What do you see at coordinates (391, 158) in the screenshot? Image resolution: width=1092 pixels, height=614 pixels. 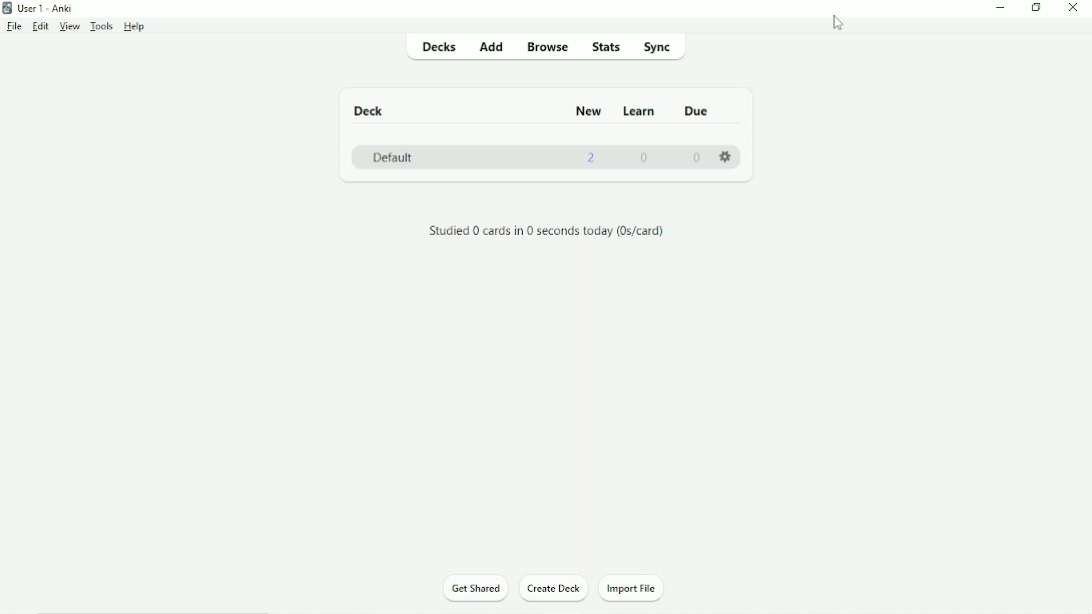 I see `Default` at bounding box center [391, 158].